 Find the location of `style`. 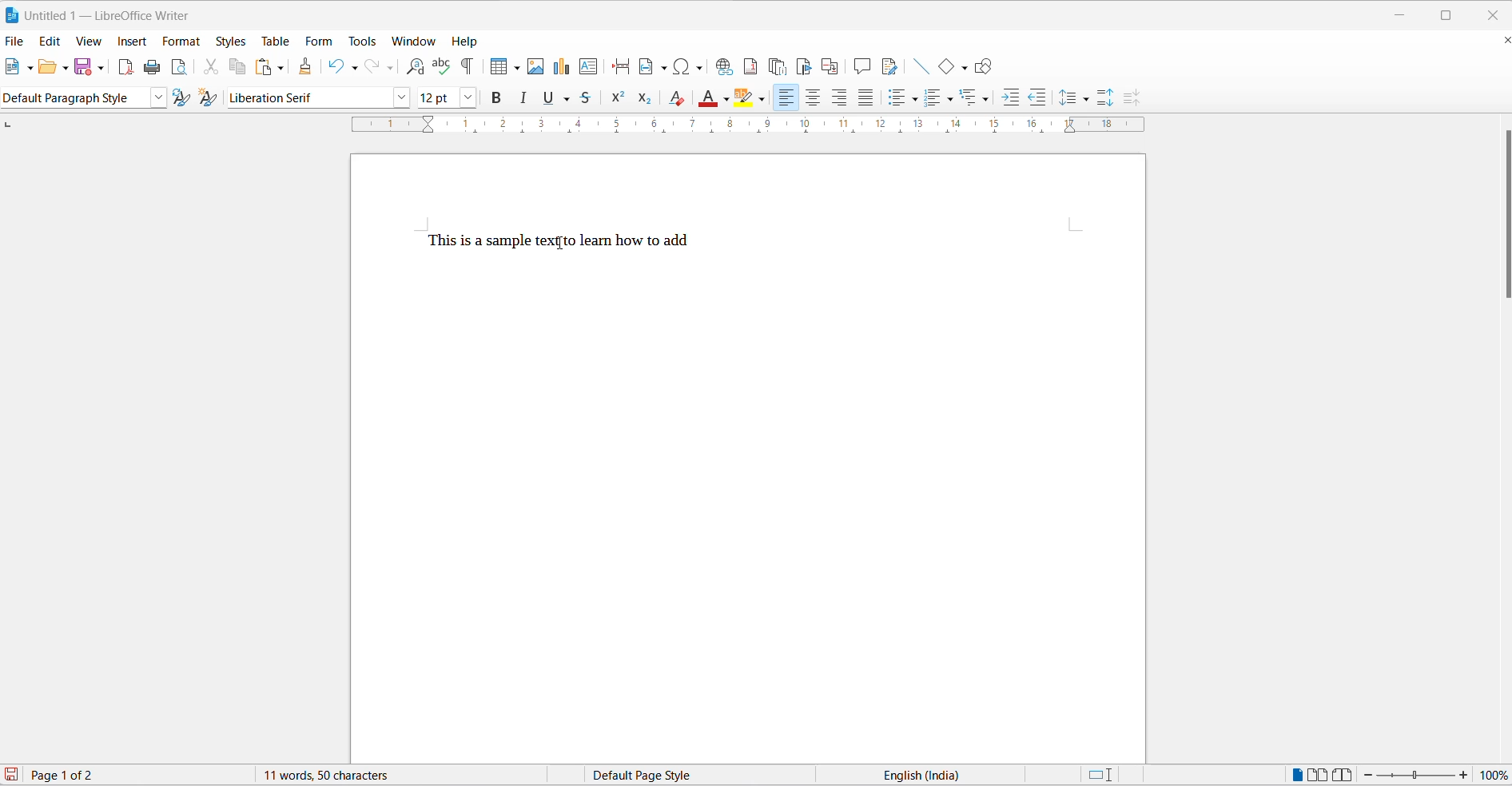

style is located at coordinates (74, 97).